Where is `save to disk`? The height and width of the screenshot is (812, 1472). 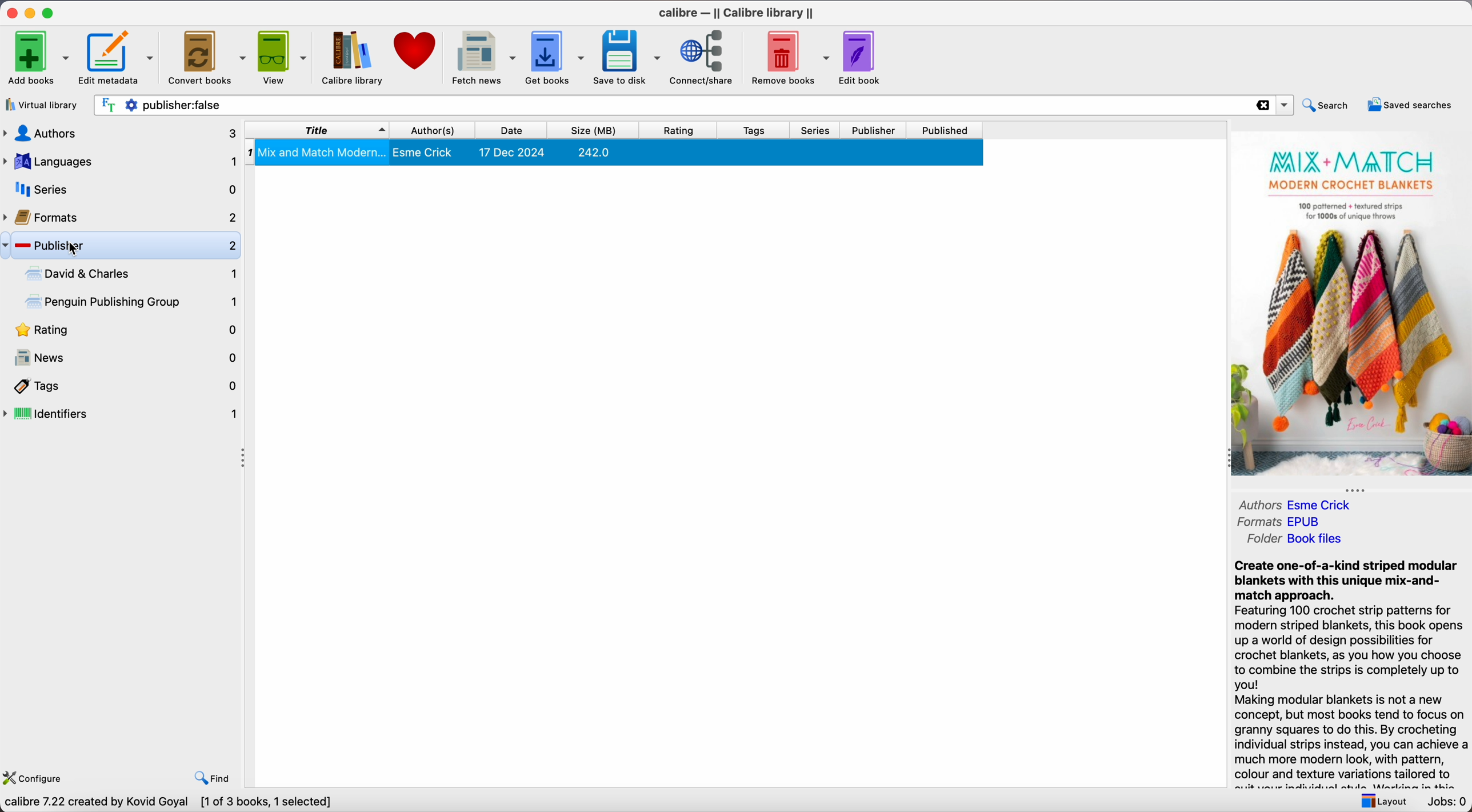 save to disk is located at coordinates (628, 57).